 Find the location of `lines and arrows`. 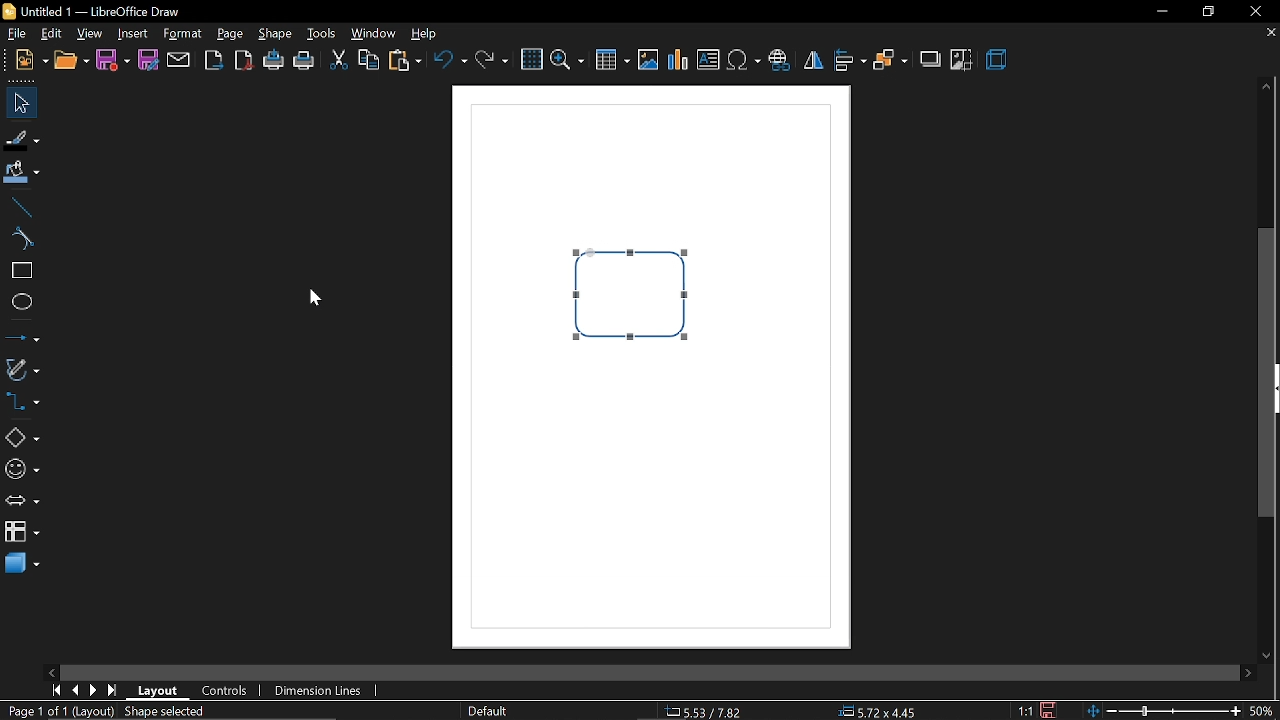

lines and arrows is located at coordinates (22, 337).